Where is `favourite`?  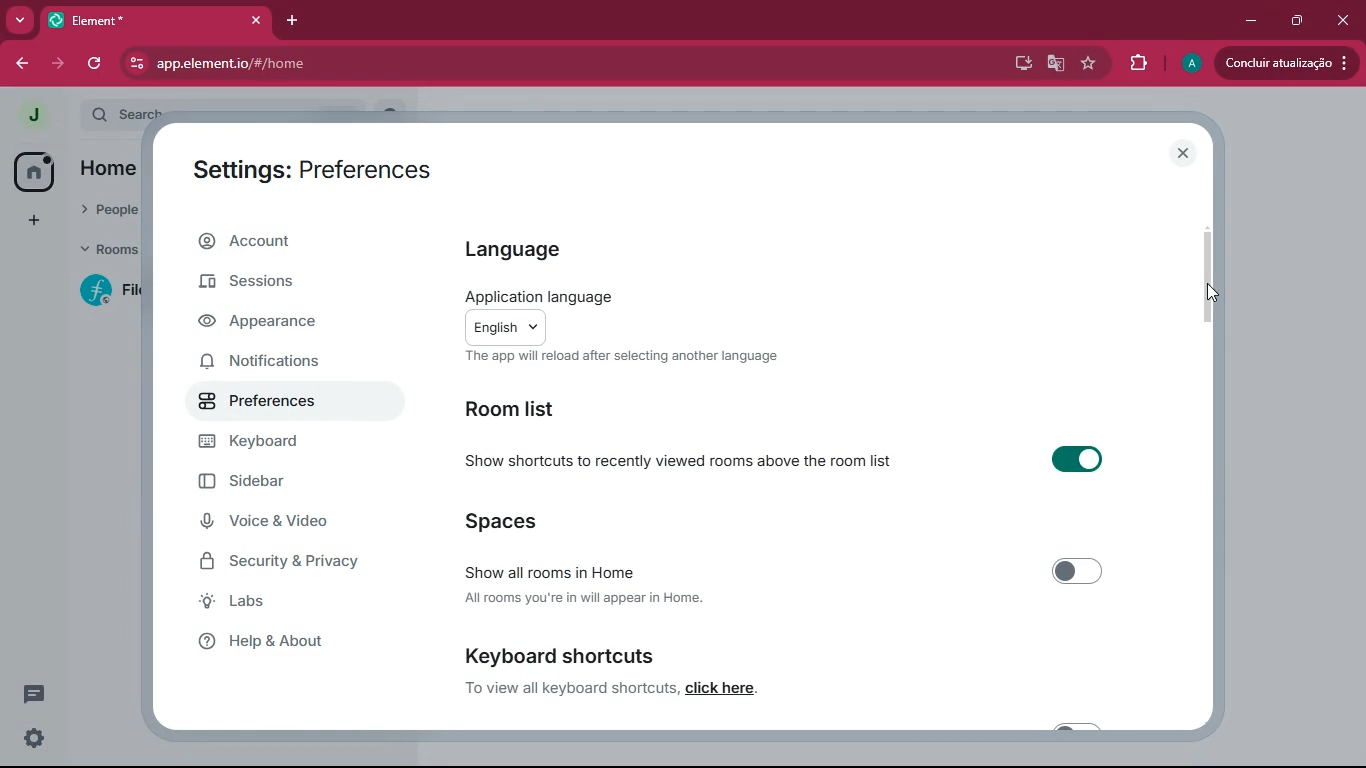
favourite is located at coordinates (1087, 65).